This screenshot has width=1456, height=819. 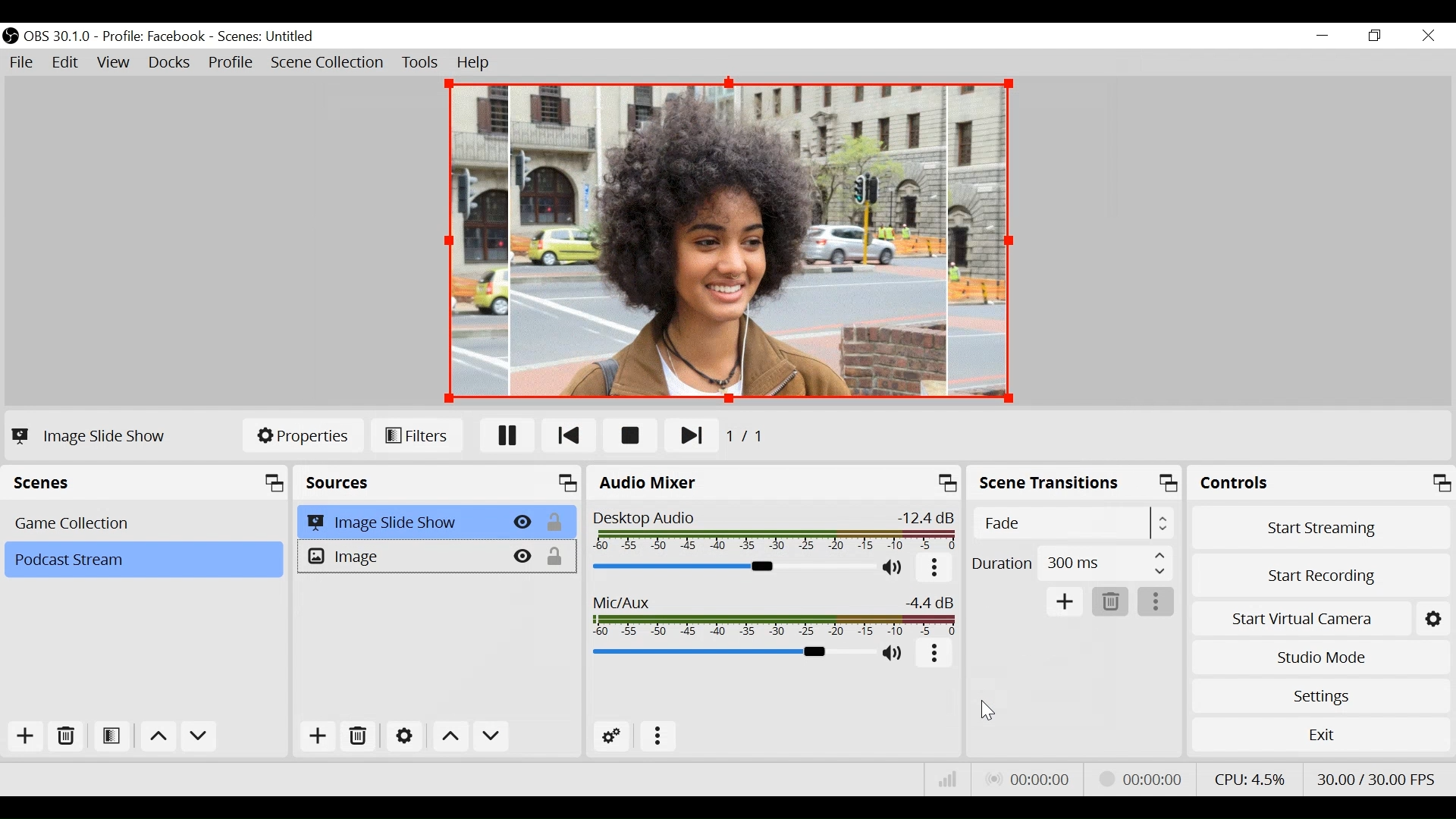 I want to click on Move up, so click(x=451, y=736).